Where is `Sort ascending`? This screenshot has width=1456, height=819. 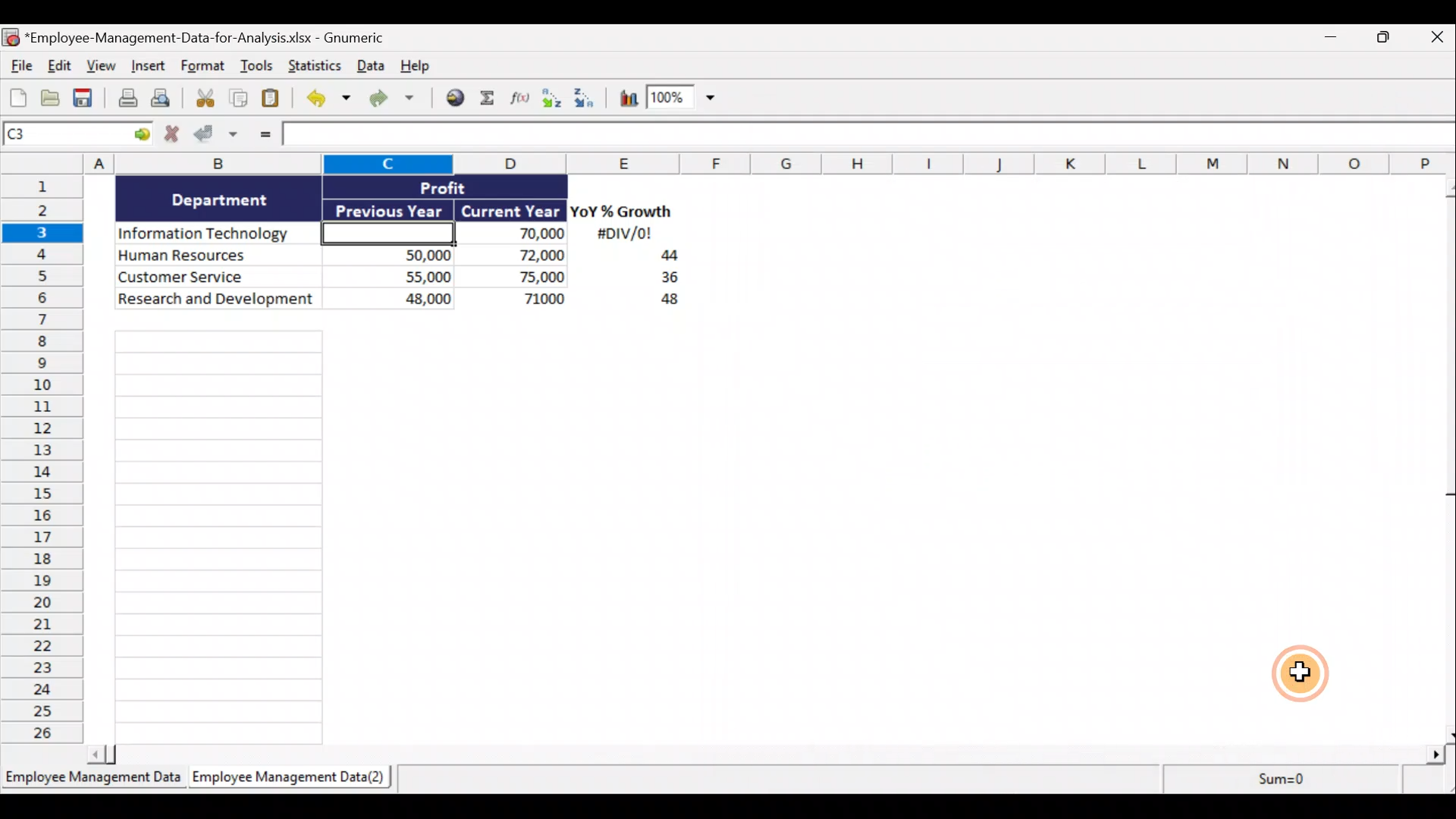
Sort ascending is located at coordinates (551, 98).